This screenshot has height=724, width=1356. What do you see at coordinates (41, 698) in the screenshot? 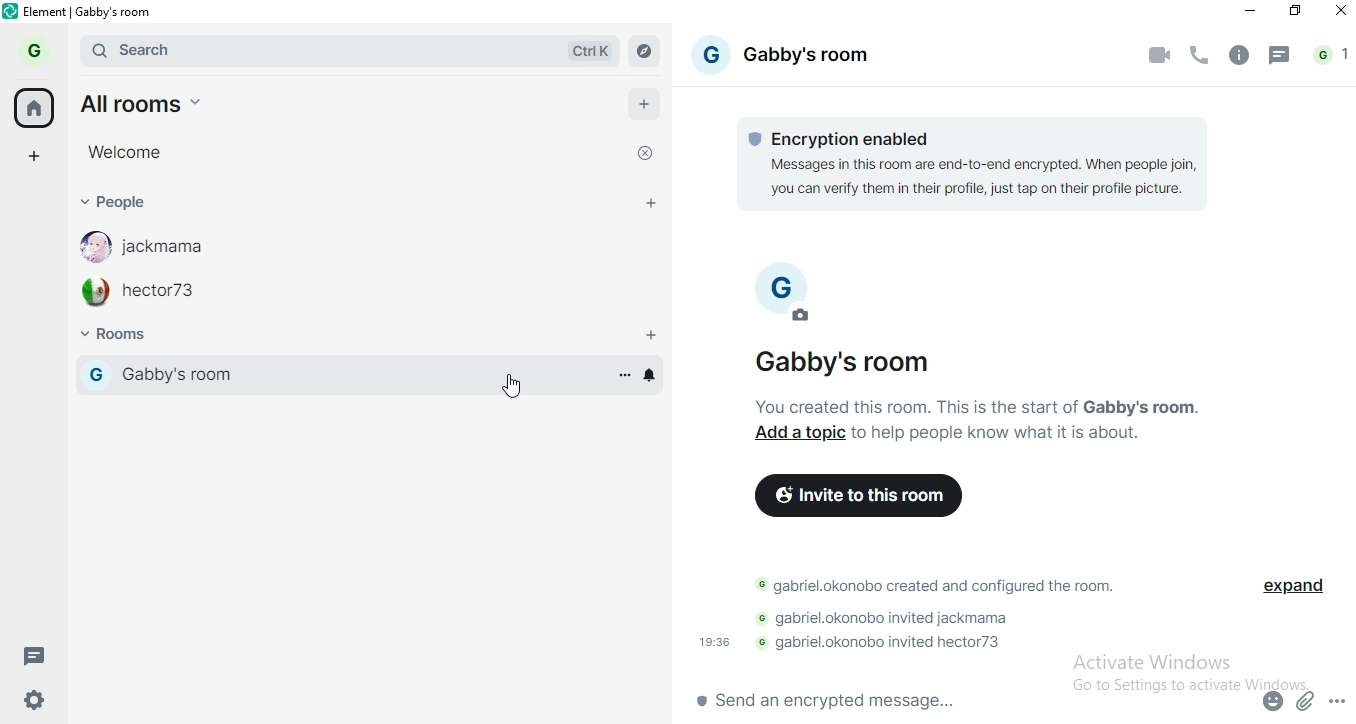
I see `settings` at bounding box center [41, 698].